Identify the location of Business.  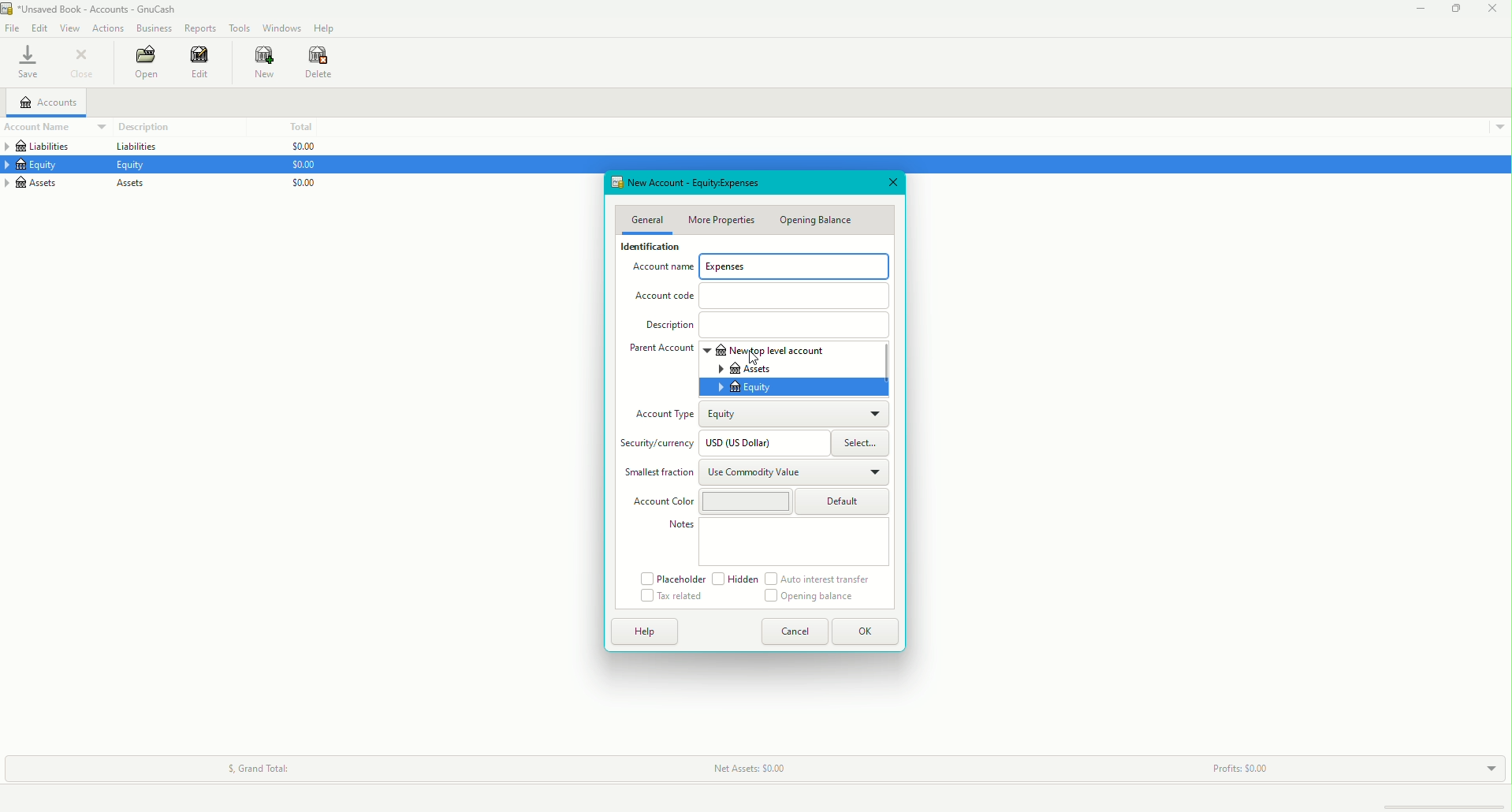
(152, 26).